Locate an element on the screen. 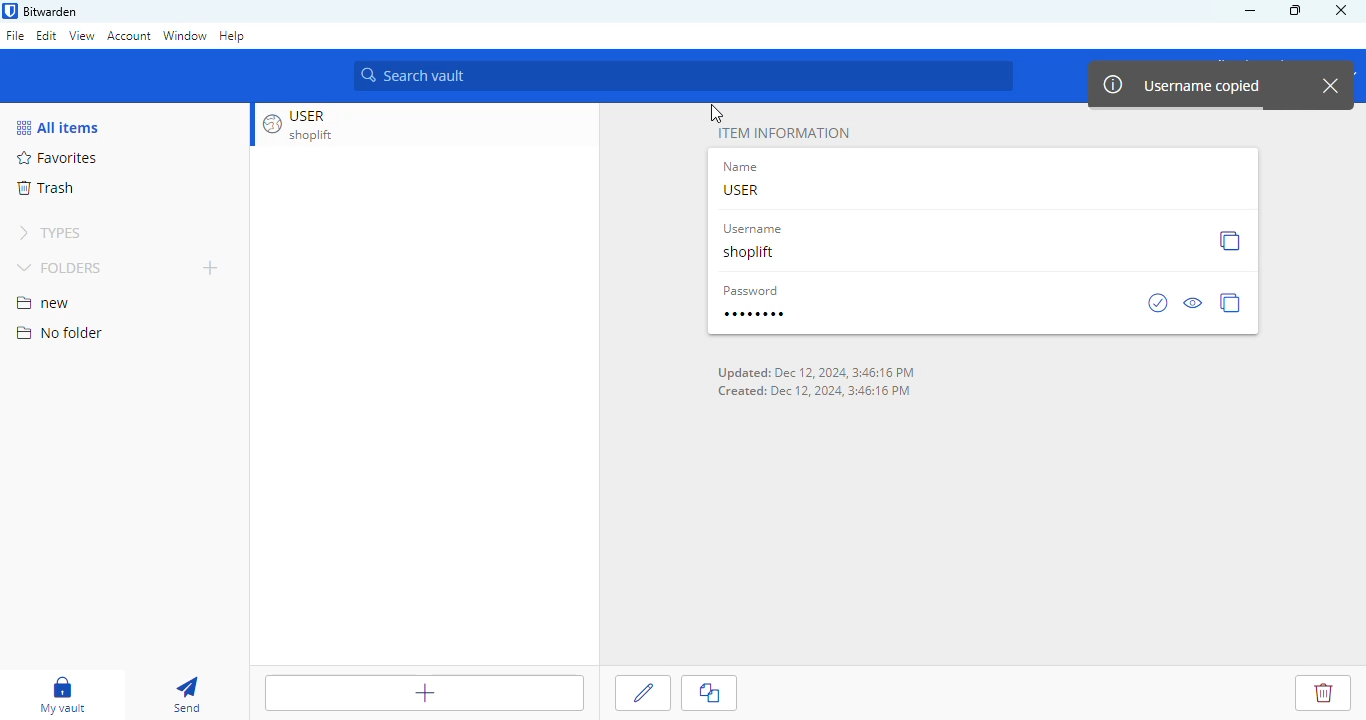 The height and width of the screenshot is (720, 1366). help is located at coordinates (232, 37).